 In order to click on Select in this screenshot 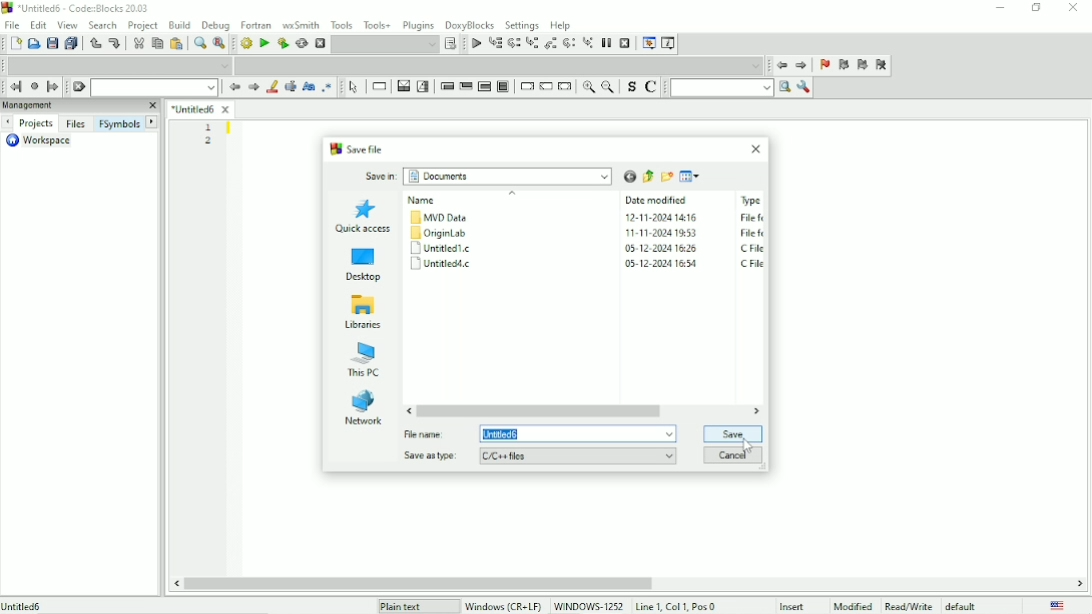, I will do `click(353, 88)`.